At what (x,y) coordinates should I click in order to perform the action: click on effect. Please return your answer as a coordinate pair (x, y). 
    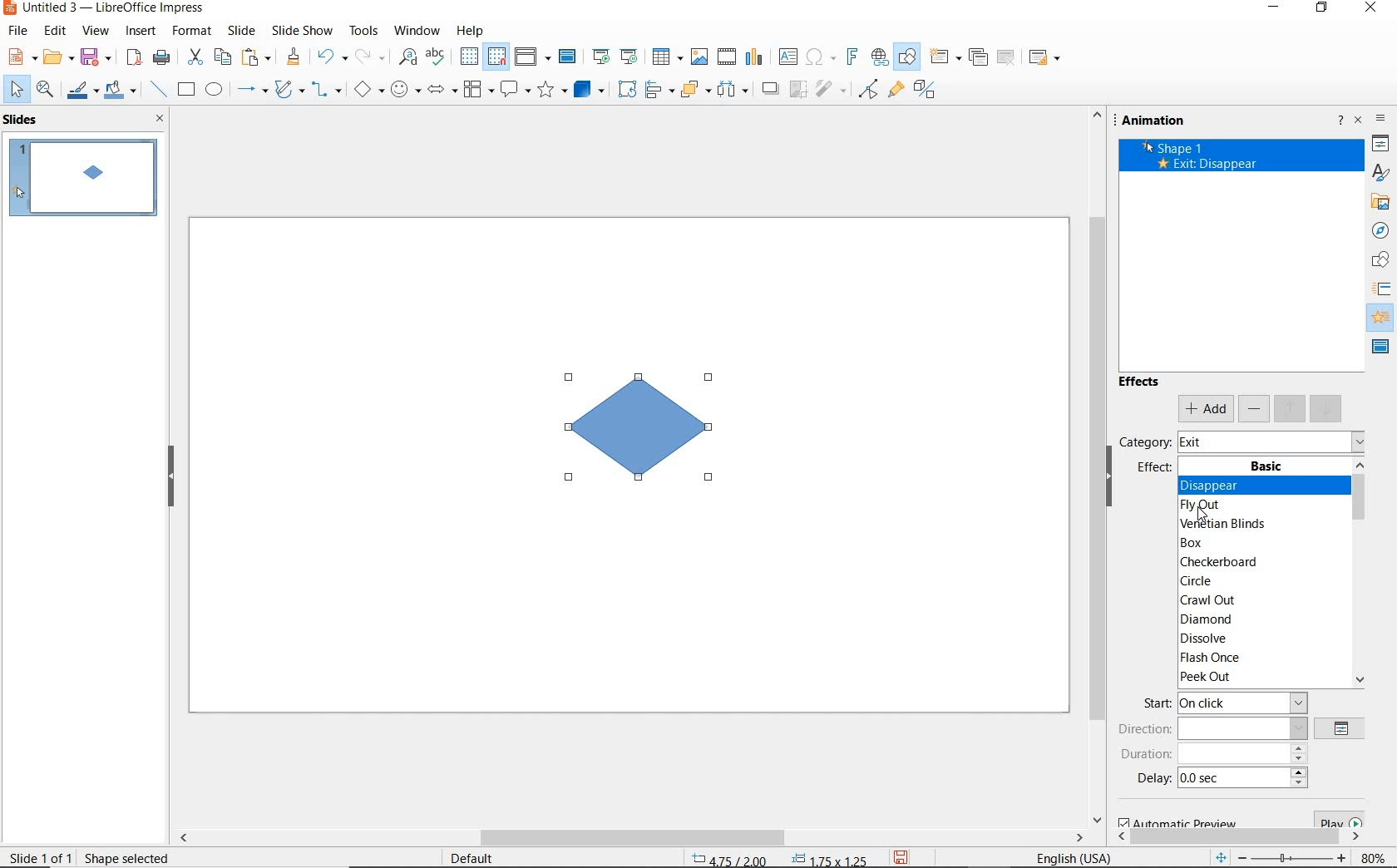
    Looking at the image, I should click on (1156, 469).